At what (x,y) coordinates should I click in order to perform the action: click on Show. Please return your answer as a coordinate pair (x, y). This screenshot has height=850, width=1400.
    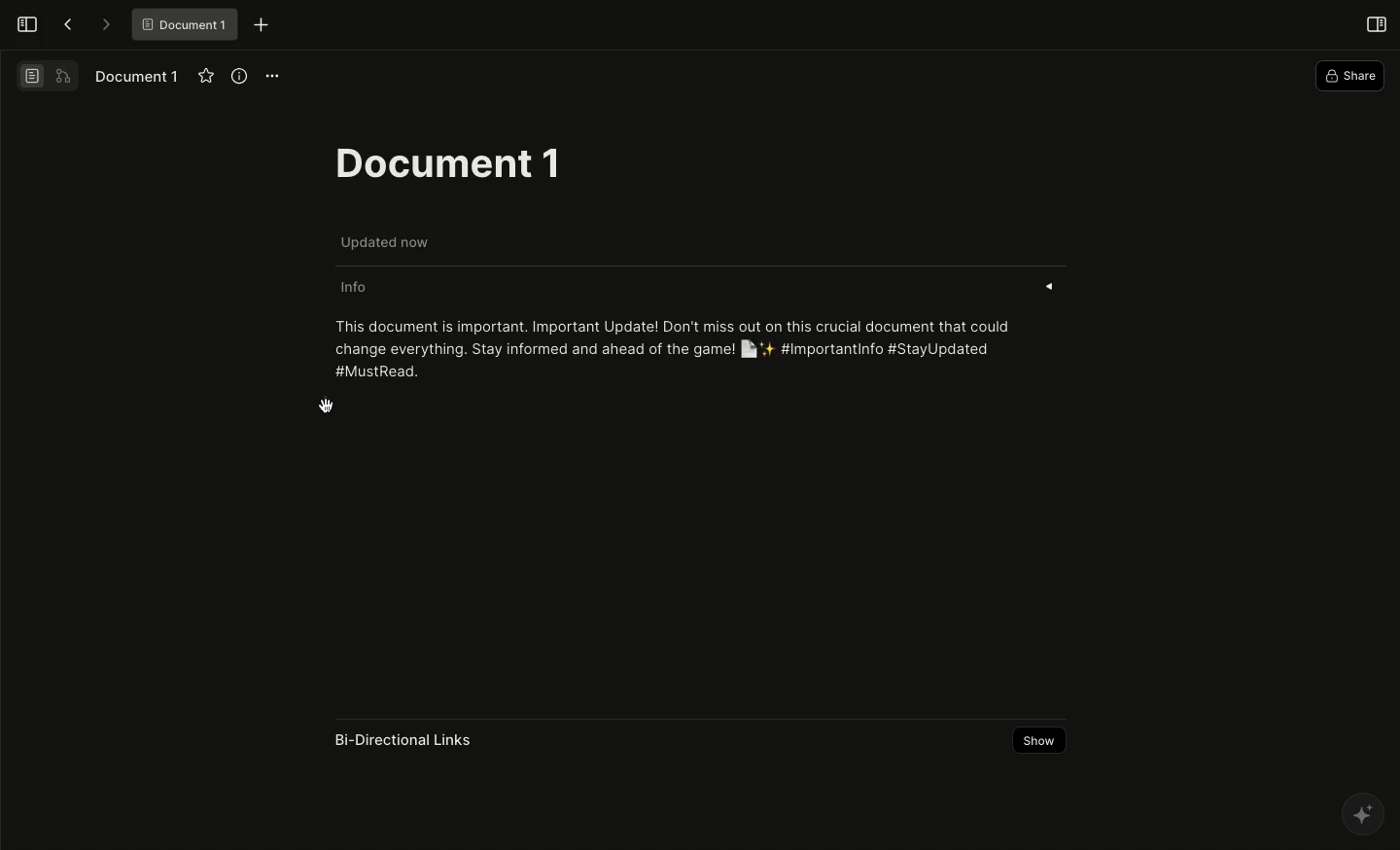
    Looking at the image, I should click on (1041, 740).